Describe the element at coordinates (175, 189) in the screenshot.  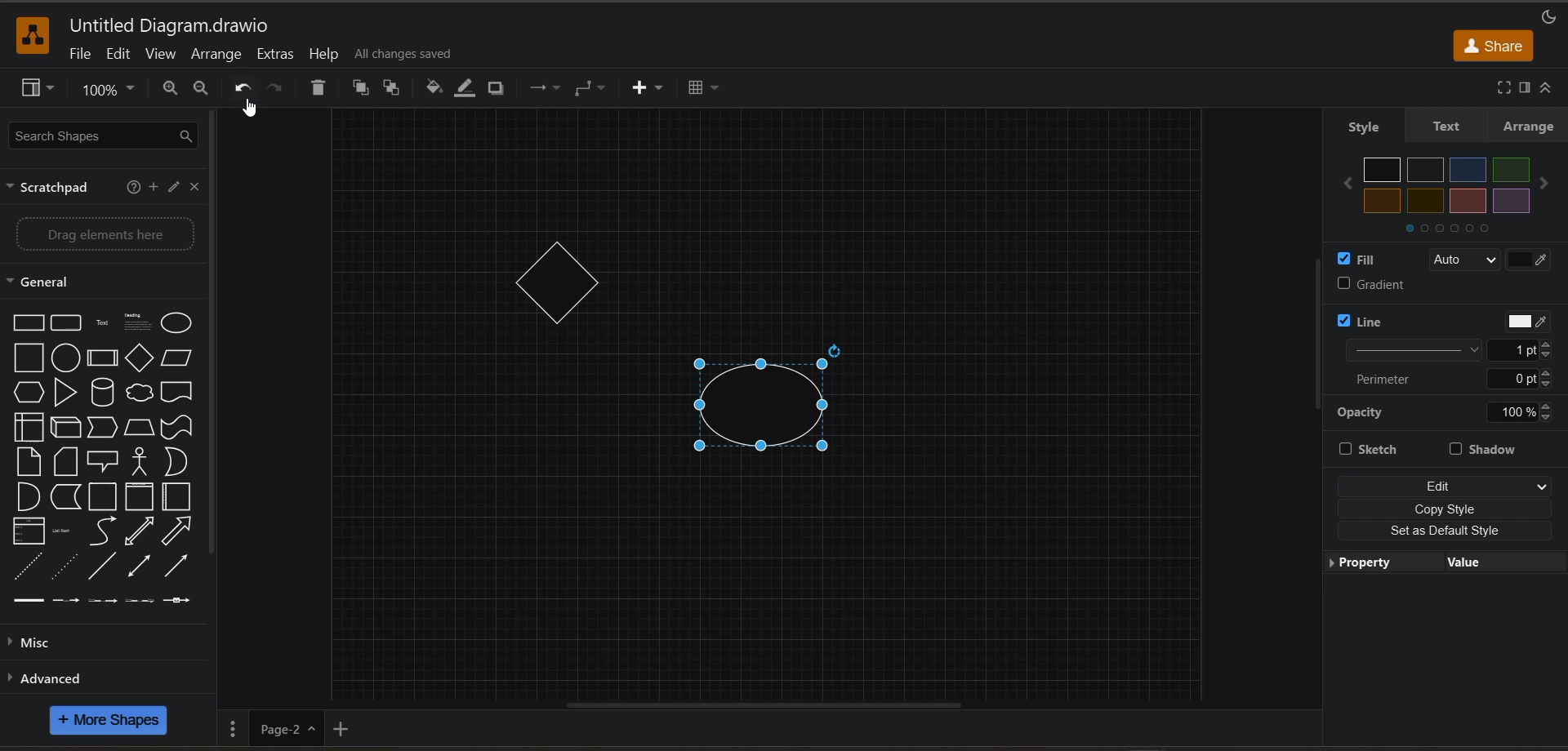
I see `edit` at that location.